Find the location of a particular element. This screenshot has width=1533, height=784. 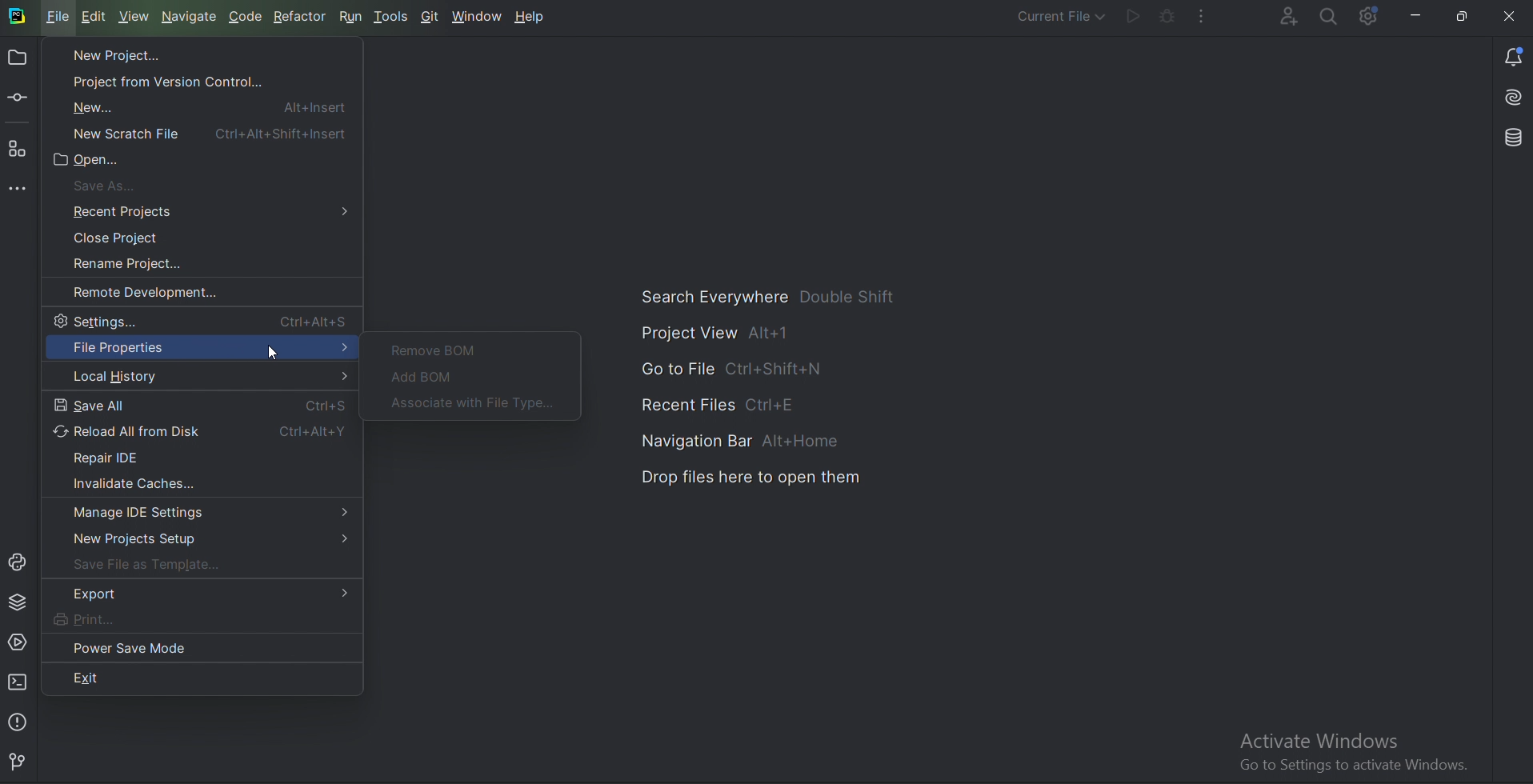

Search Everywhere Double Shift is located at coordinates (772, 296).